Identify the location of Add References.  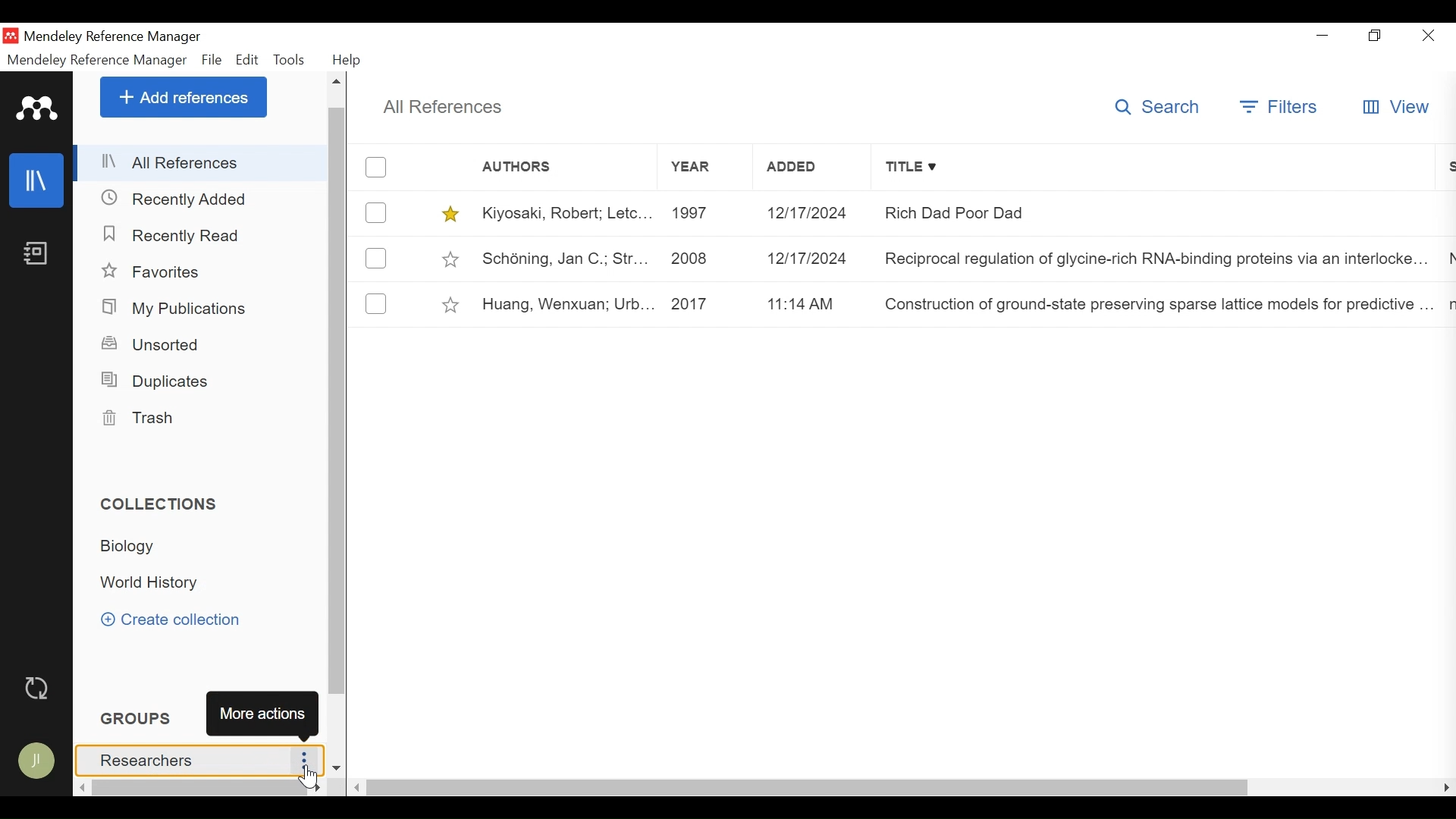
(184, 96).